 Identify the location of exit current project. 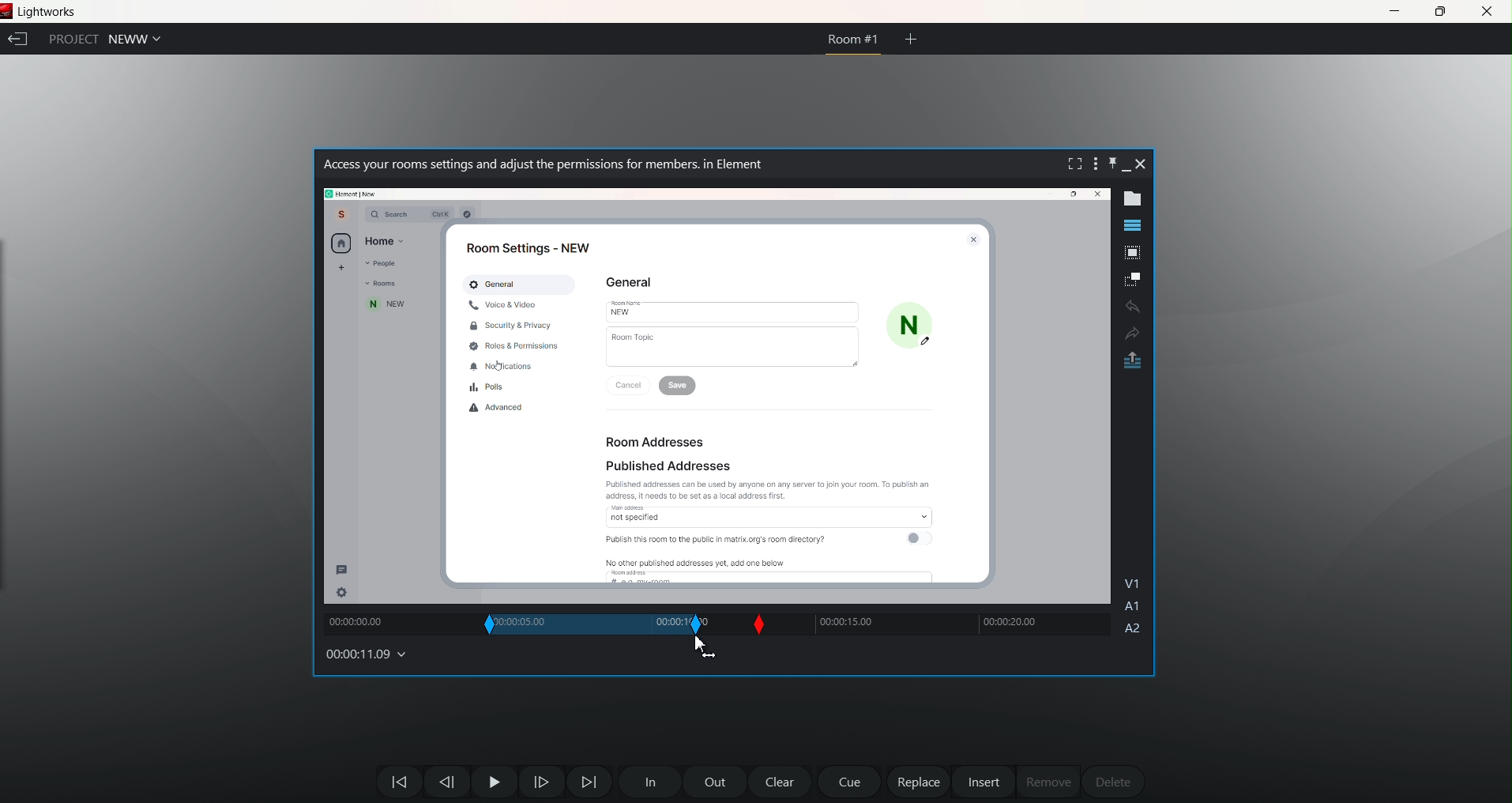
(18, 40).